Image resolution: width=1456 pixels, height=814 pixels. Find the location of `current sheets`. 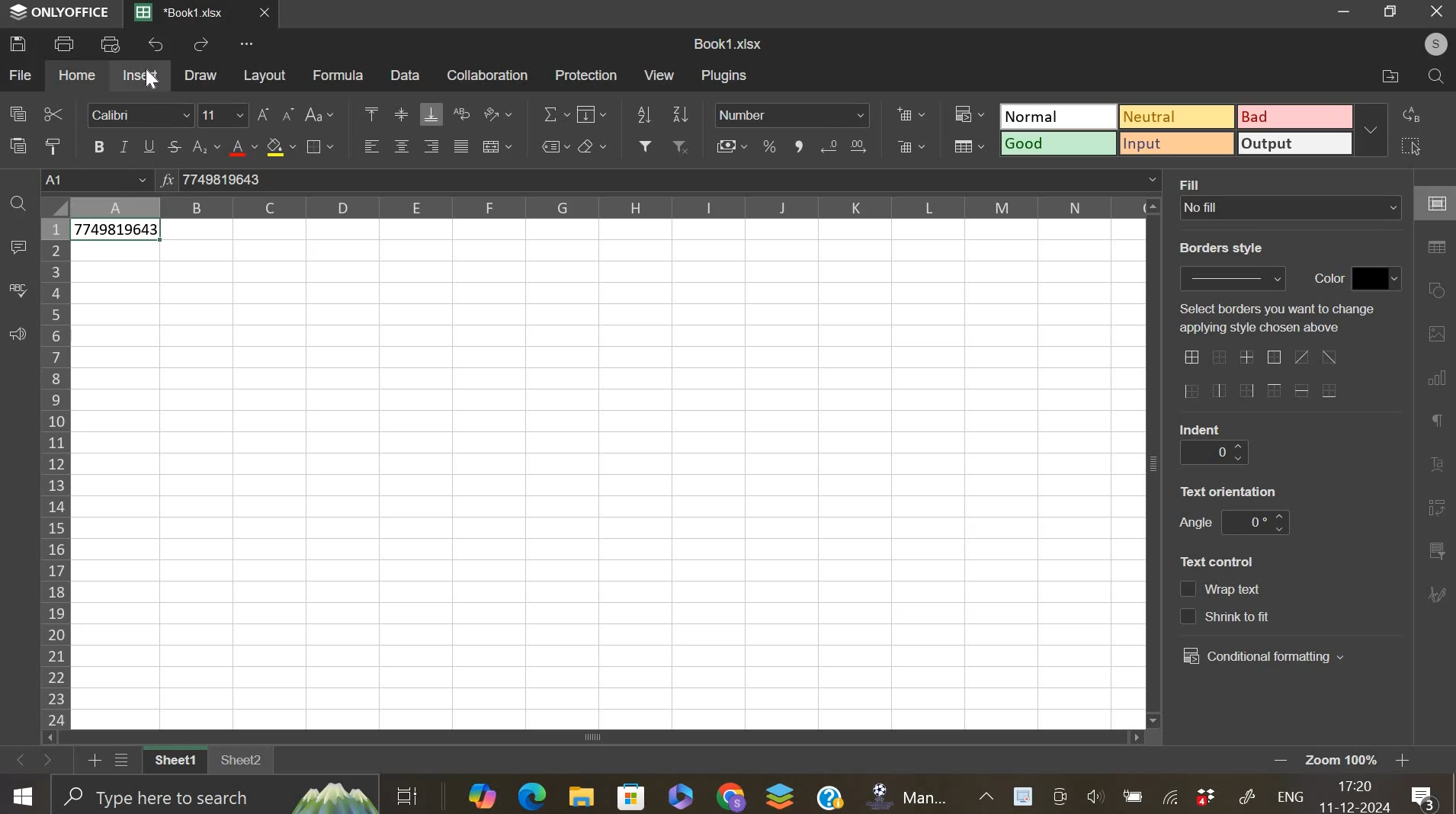

current sheets is located at coordinates (187, 14).